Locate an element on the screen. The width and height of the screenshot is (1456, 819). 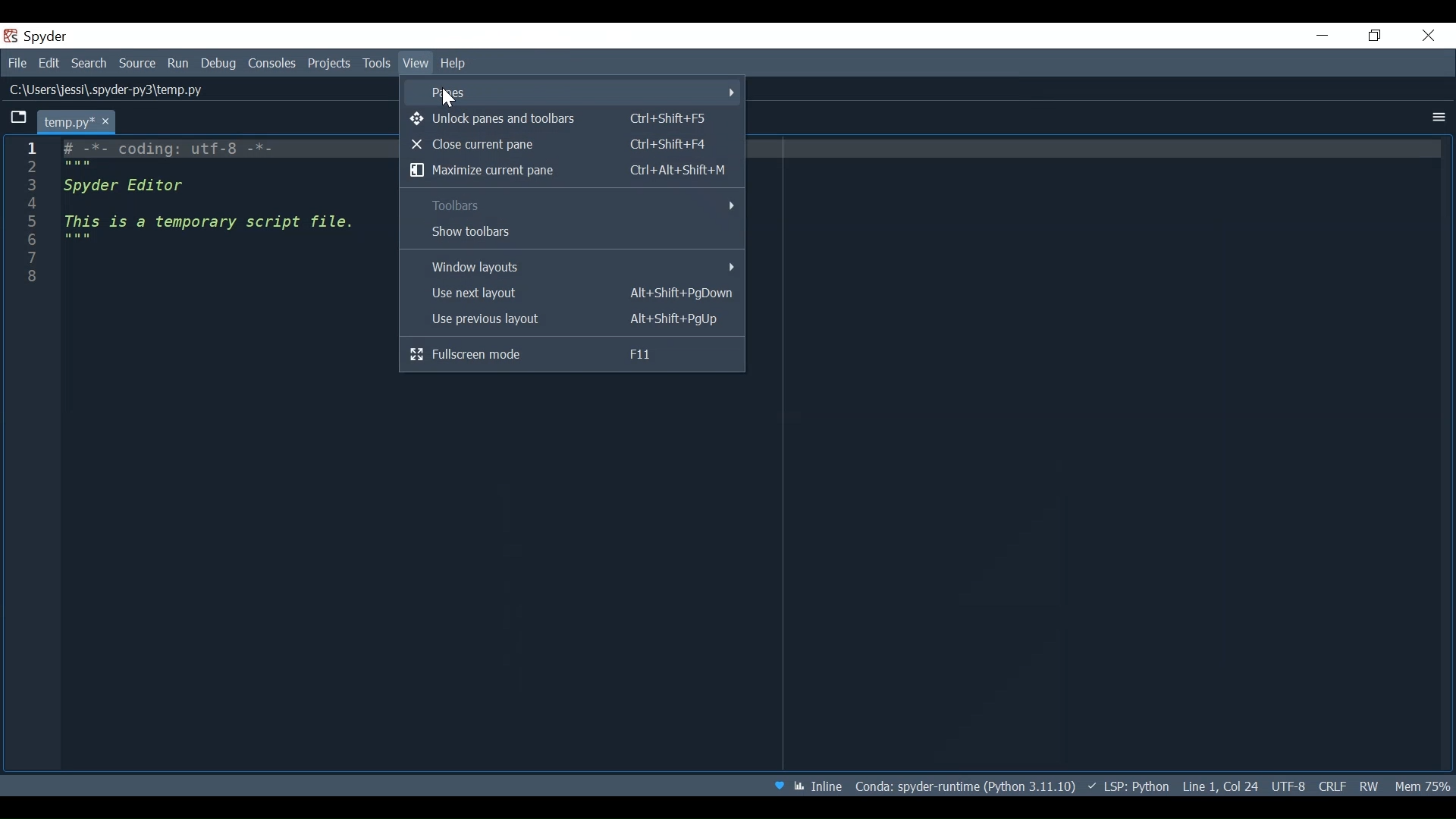
Close current pane is located at coordinates (570, 143).